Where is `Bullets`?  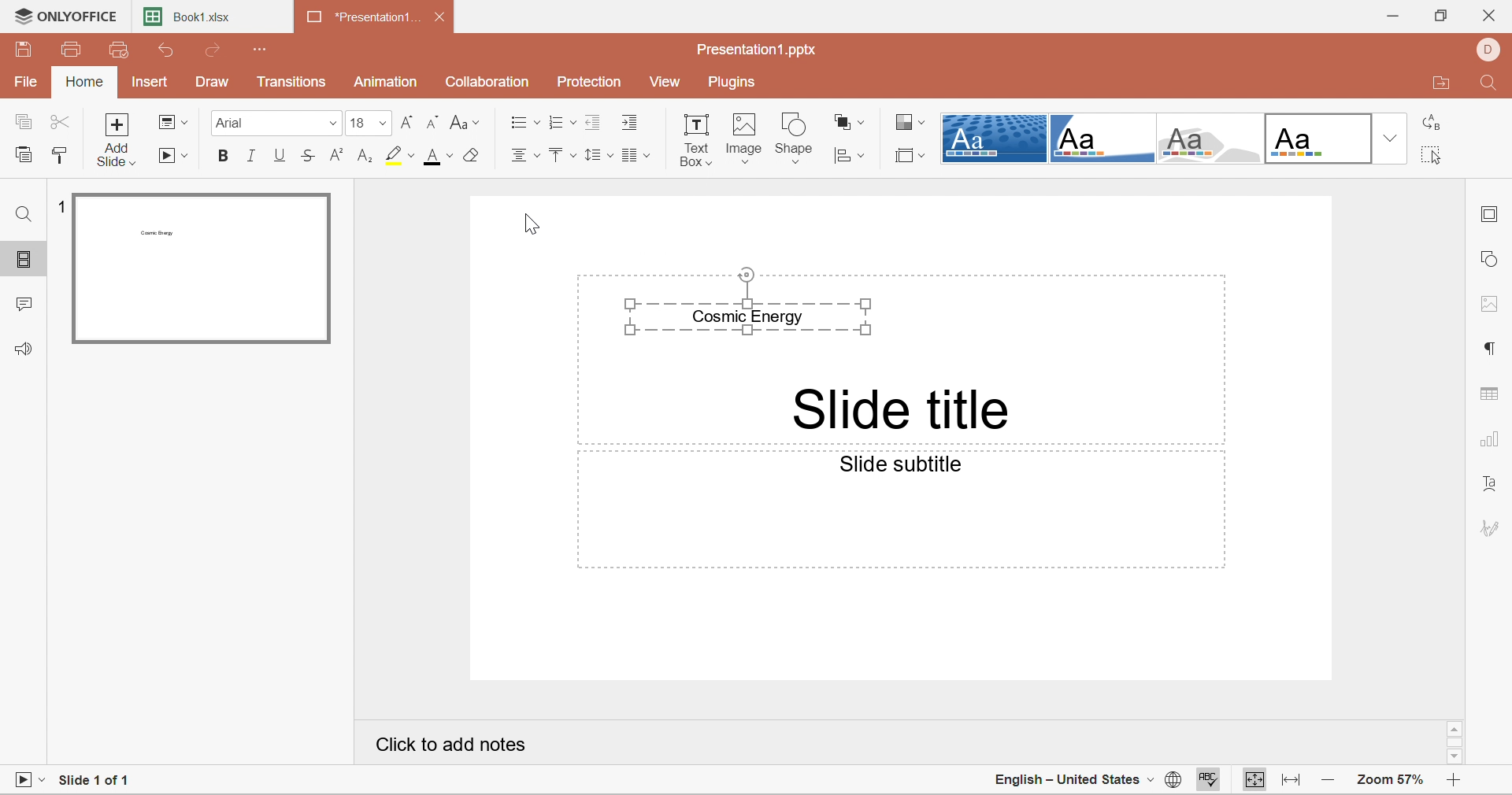 Bullets is located at coordinates (521, 123).